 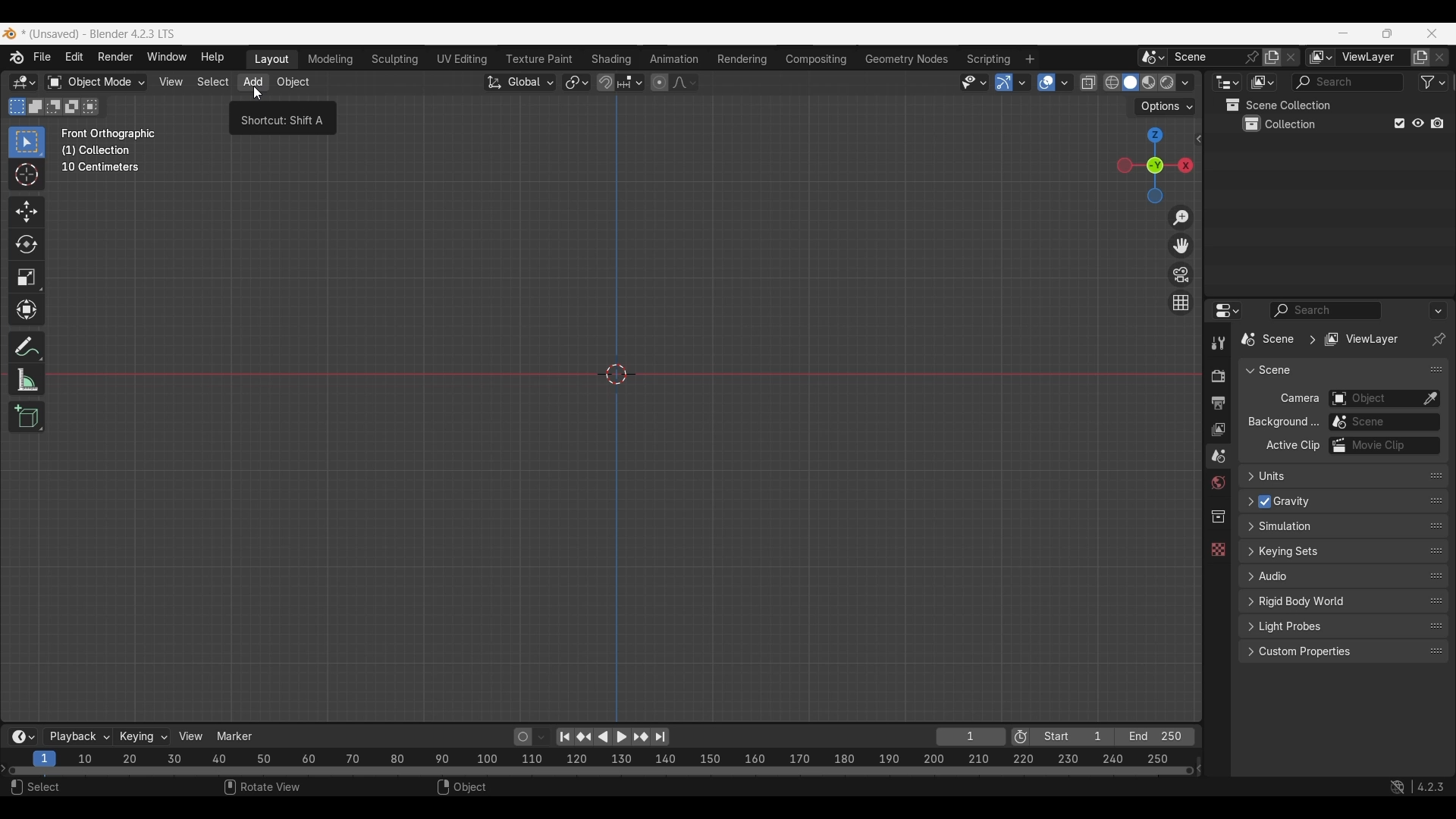 What do you see at coordinates (674, 60) in the screenshot?
I see `Animation workspace` at bounding box center [674, 60].